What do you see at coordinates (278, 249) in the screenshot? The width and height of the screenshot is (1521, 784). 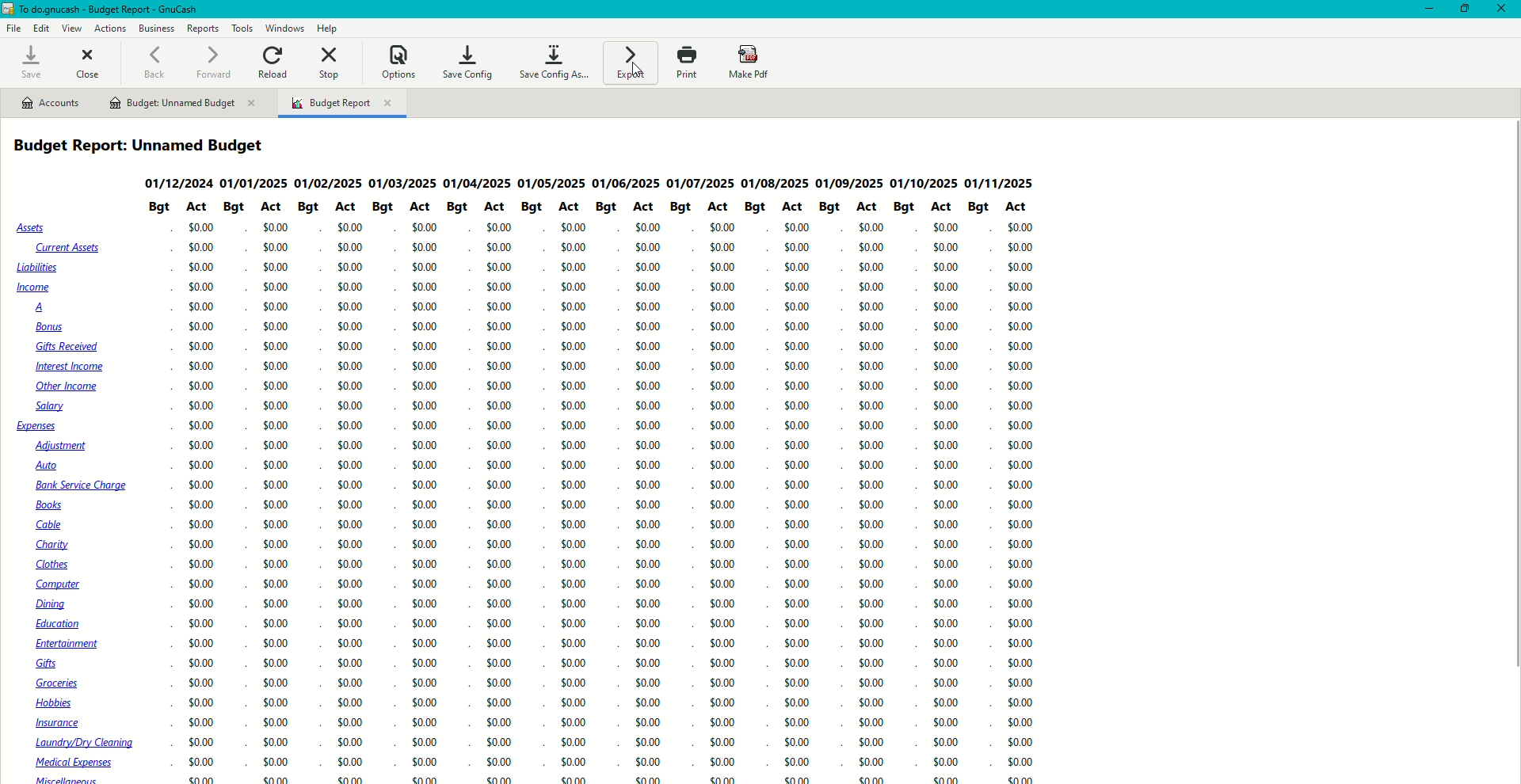 I see `0.00` at bounding box center [278, 249].